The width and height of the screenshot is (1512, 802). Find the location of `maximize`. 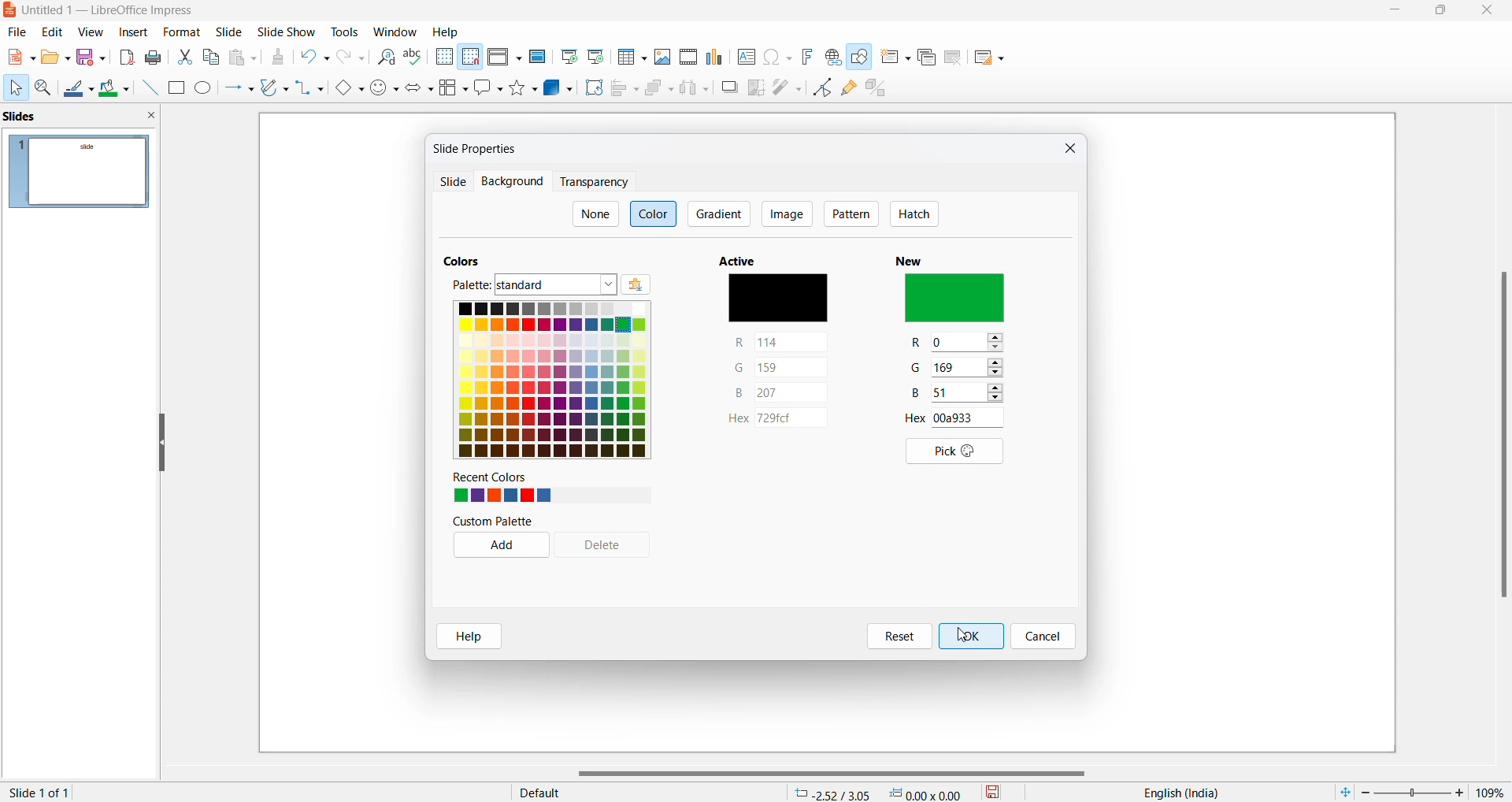

maximize is located at coordinates (1442, 13).